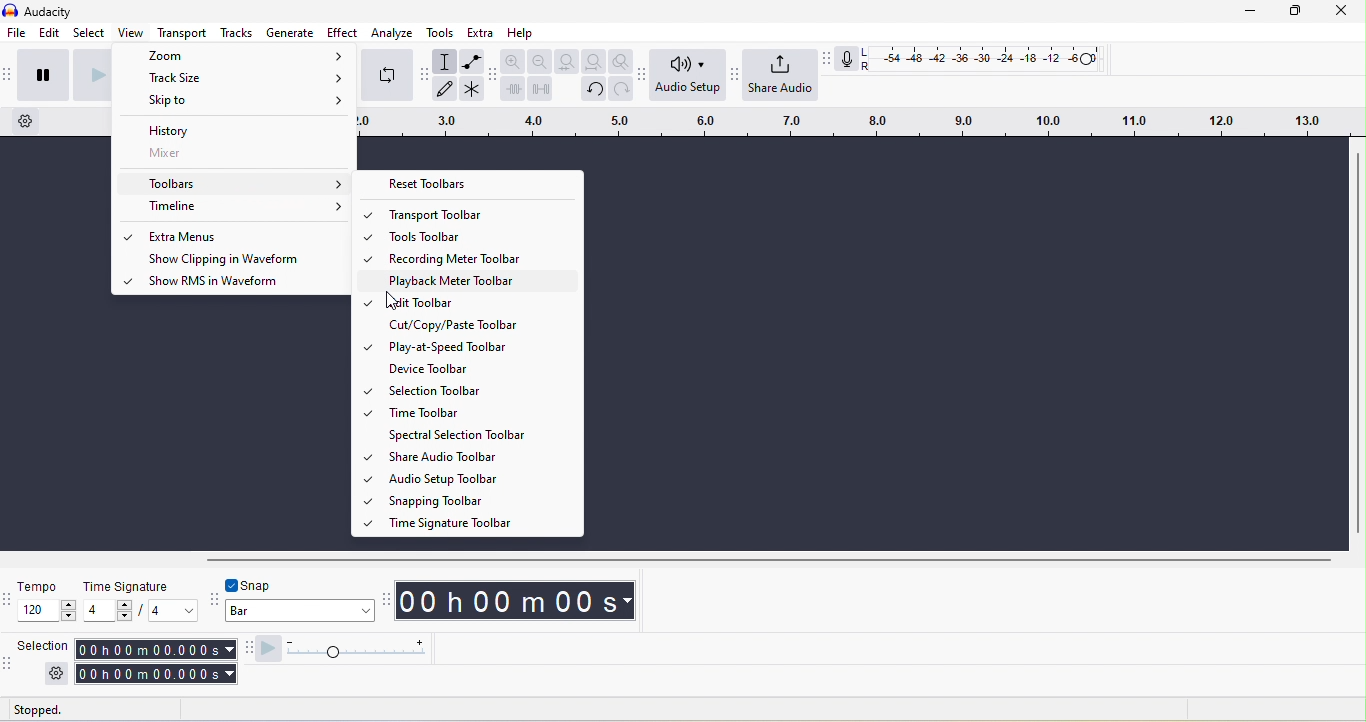 The image size is (1366, 722). Describe the element at coordinates (1295, 11) in the screenshot. I see `maximize` at that location.